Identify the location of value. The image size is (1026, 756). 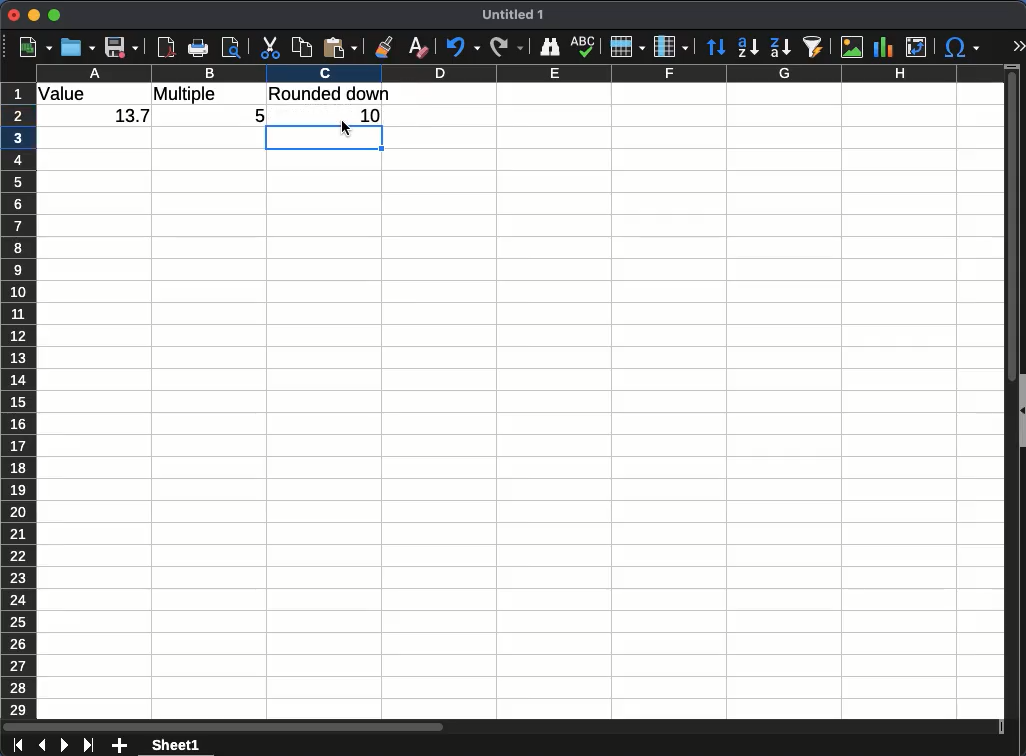
(67, 95).